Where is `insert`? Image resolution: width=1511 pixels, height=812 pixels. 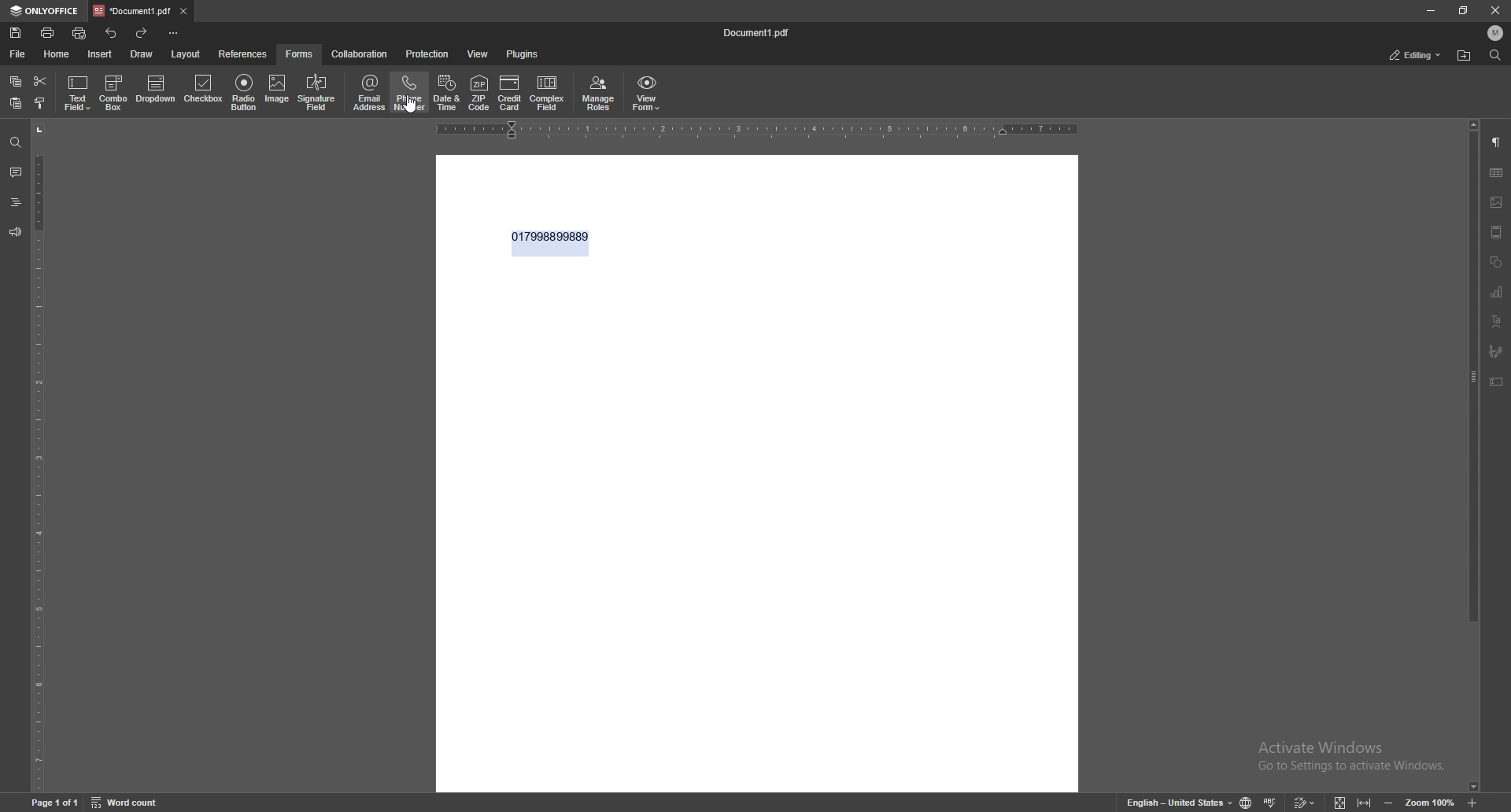
insert is located at coordinates (101, 54).